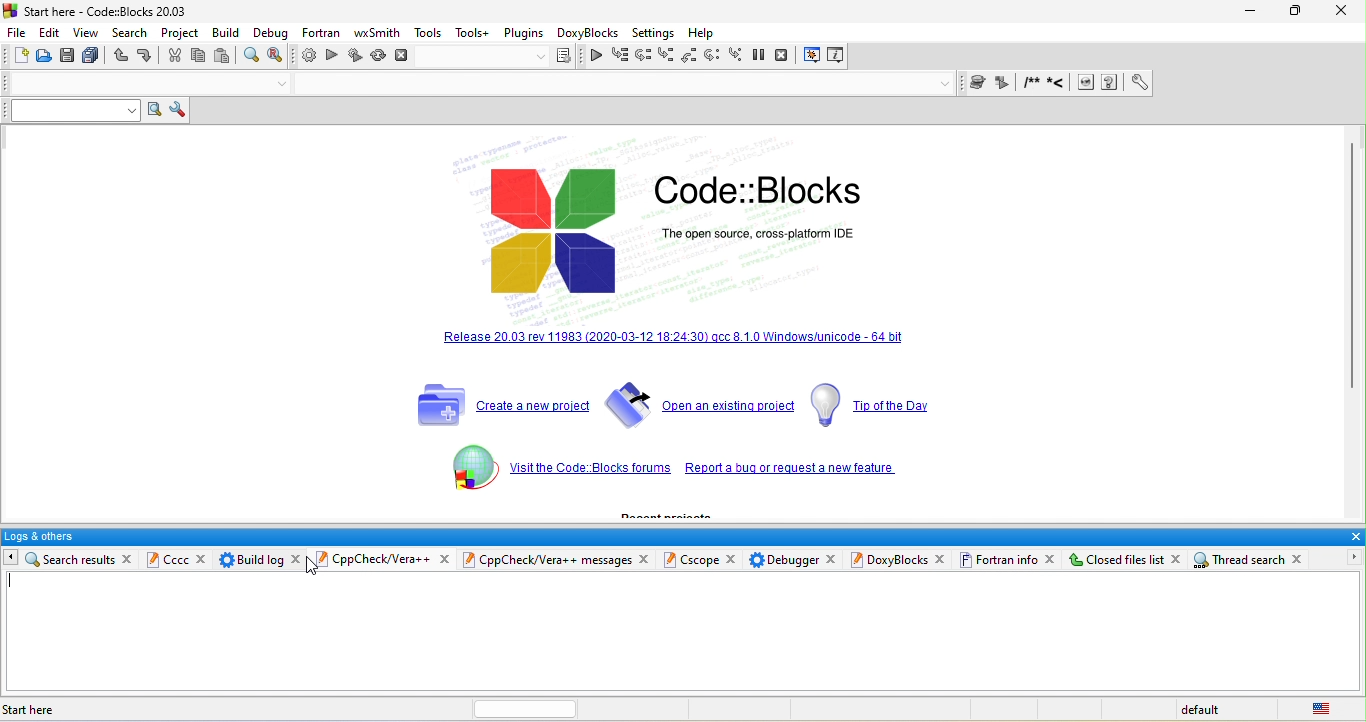  I want to click on close, so click(1343, 11).